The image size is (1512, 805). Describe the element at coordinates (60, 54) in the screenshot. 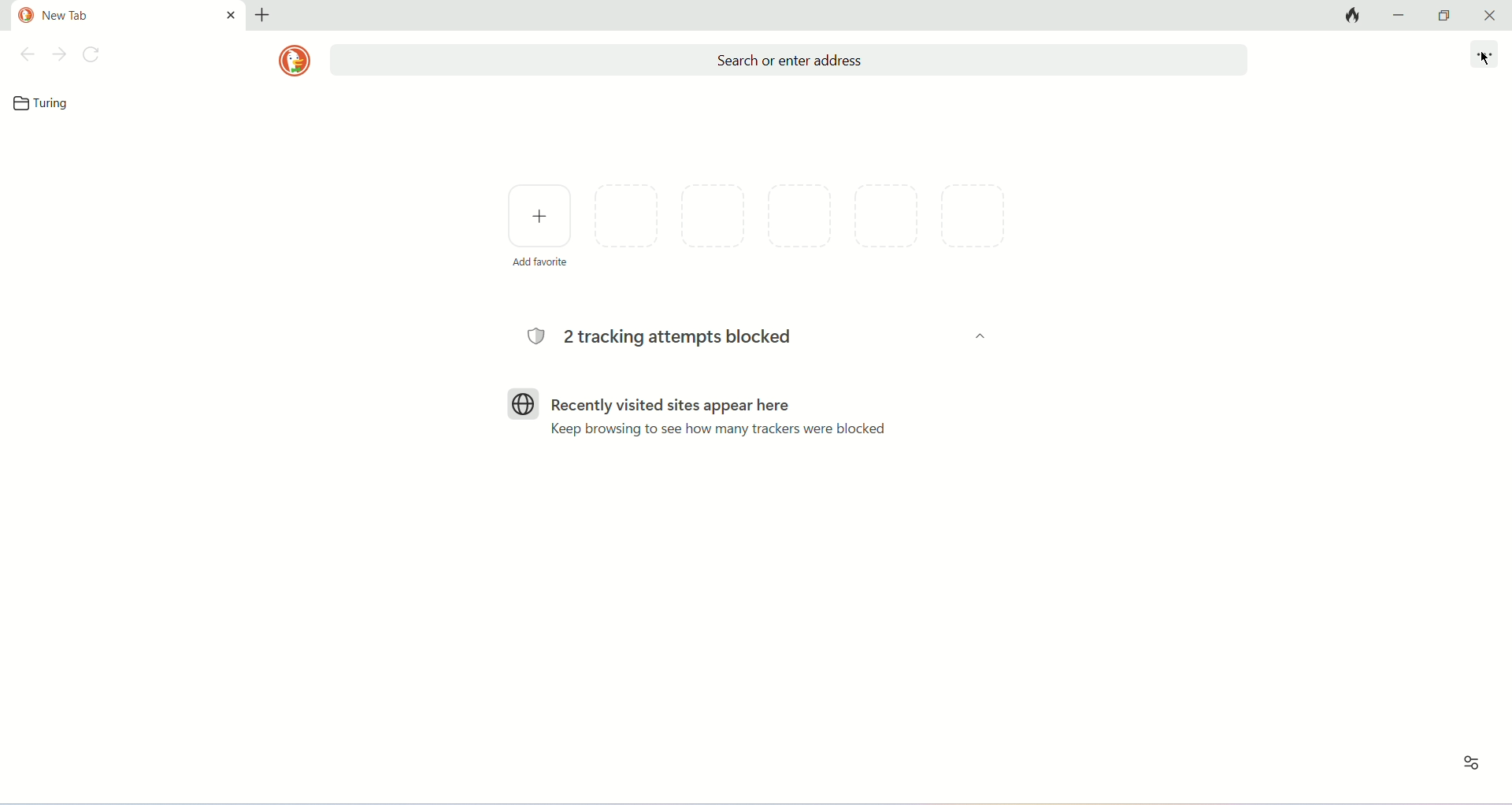

I see `next` at that location.